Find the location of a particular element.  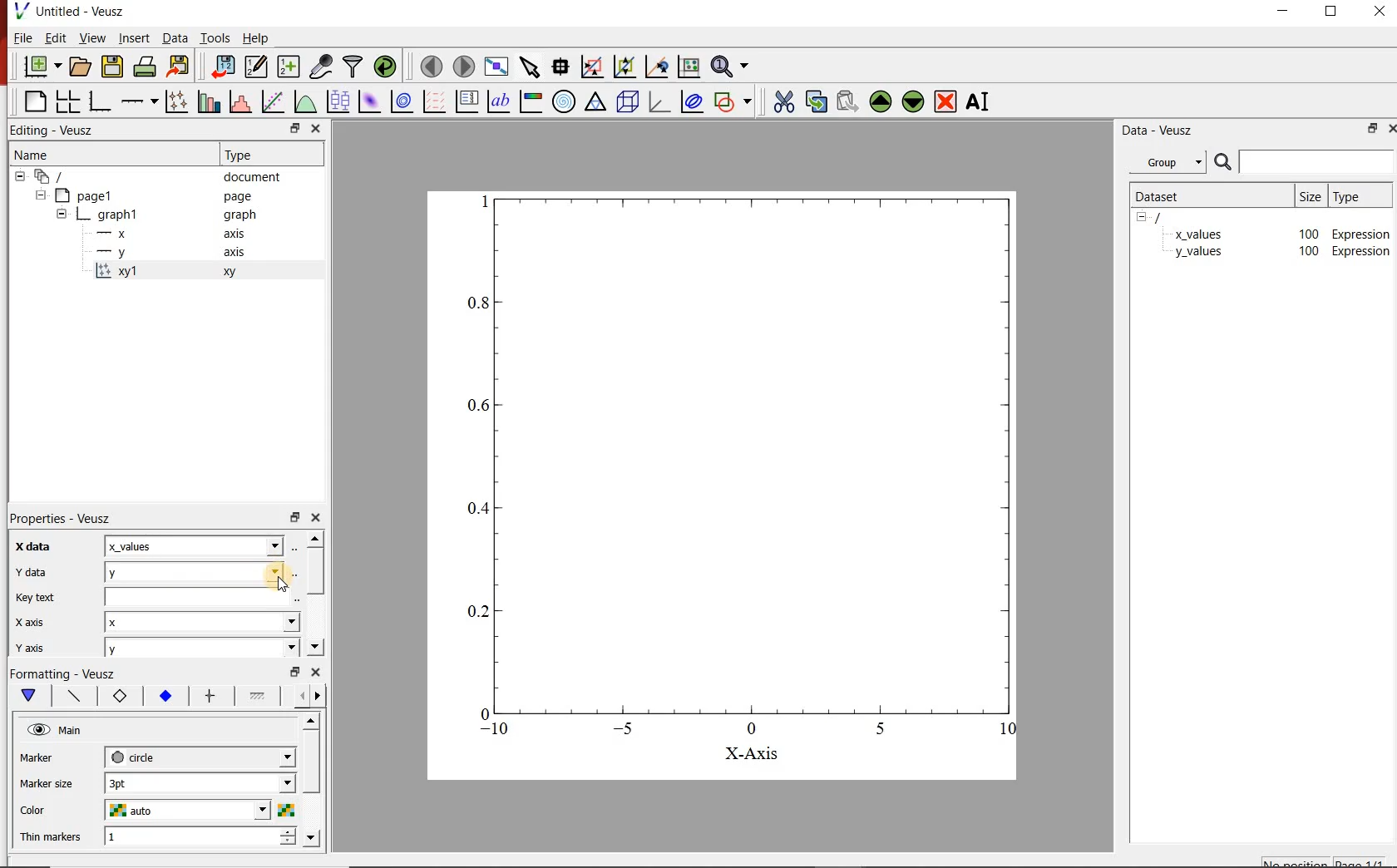

plot points is located at coordinates (175, 102).